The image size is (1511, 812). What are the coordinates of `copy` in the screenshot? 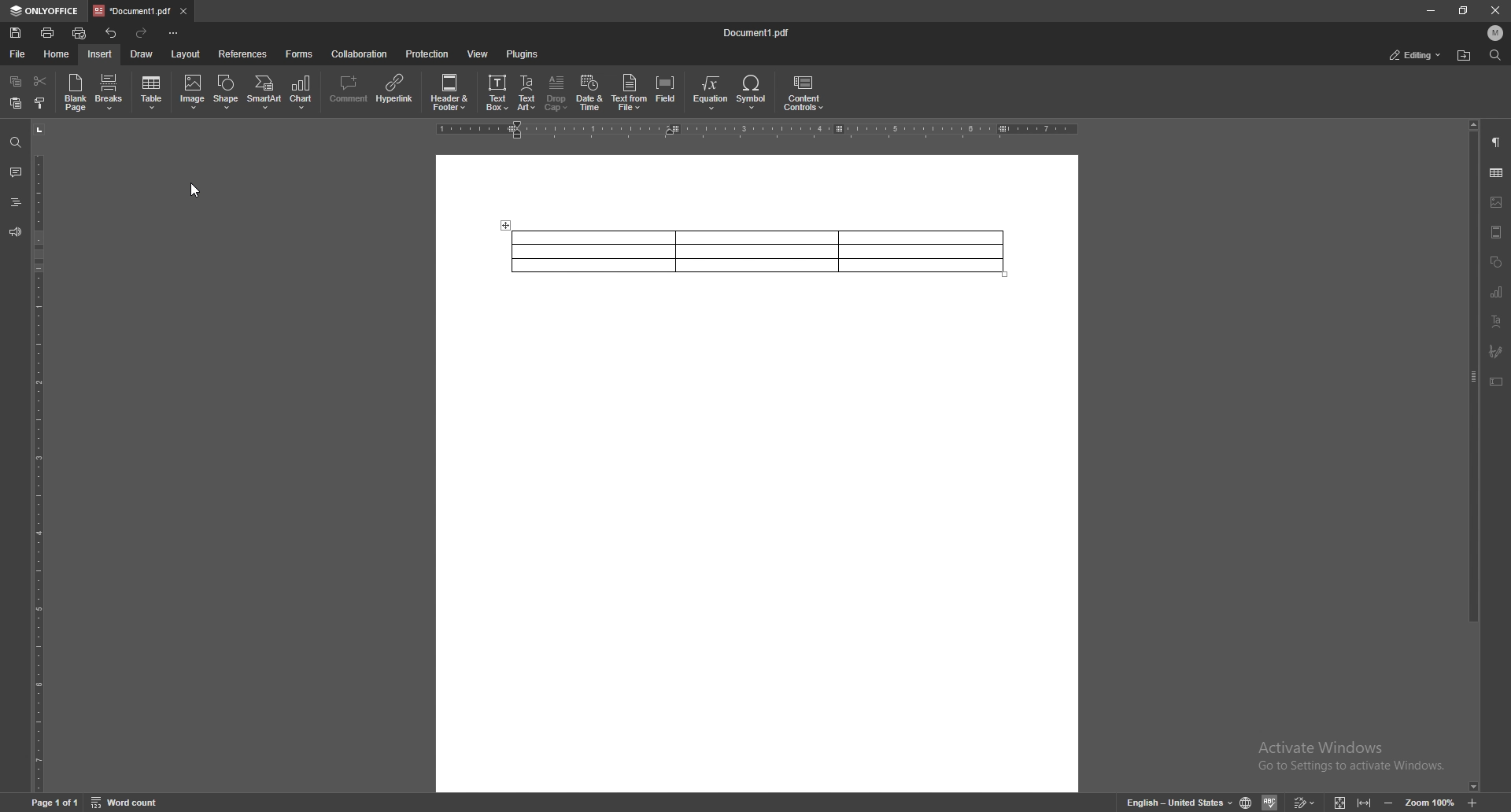 It's located at (16, 81).